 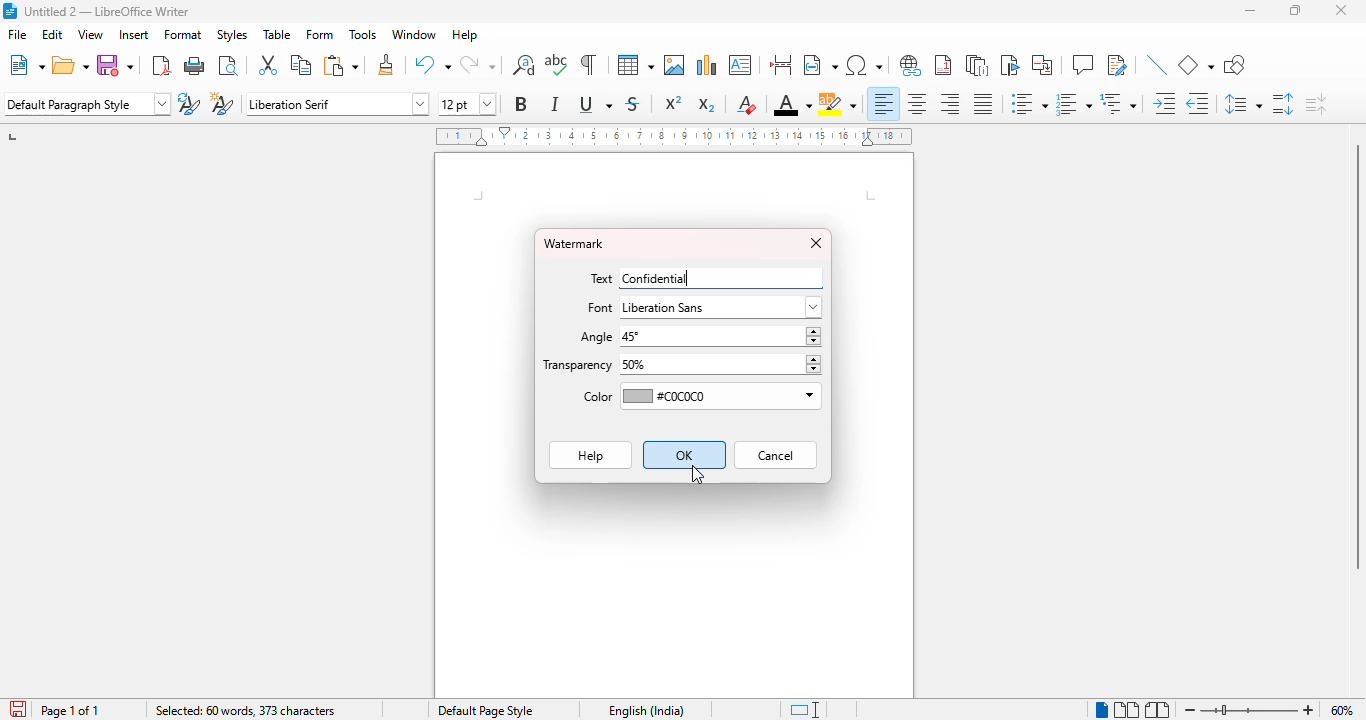 What do you see at coordinates (863, 65) in the screenshot?
I see `insert special characters` at bounding box center [863, 65].